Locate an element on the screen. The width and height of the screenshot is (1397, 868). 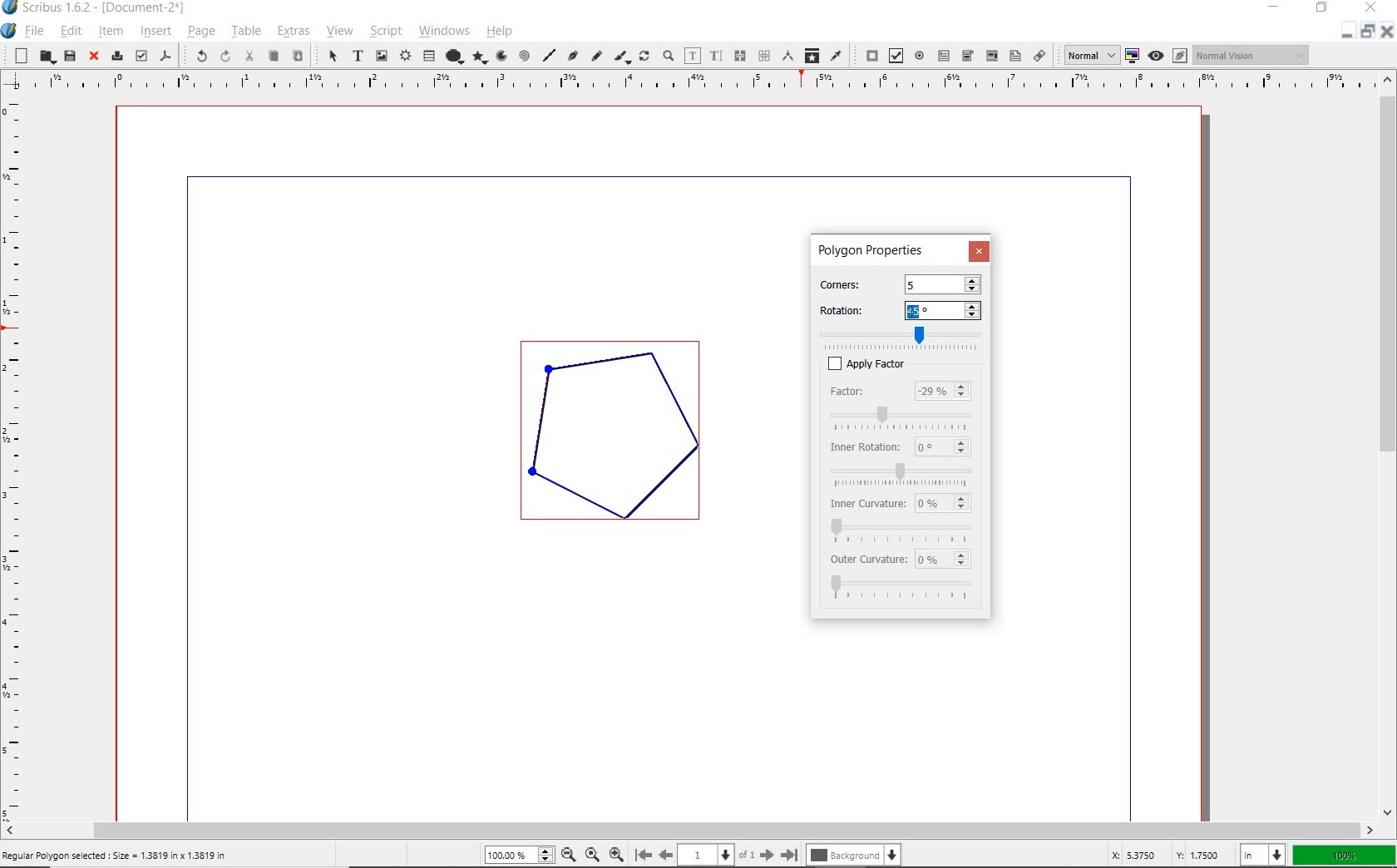
unlink text frames is located at coordinates (763, 55).